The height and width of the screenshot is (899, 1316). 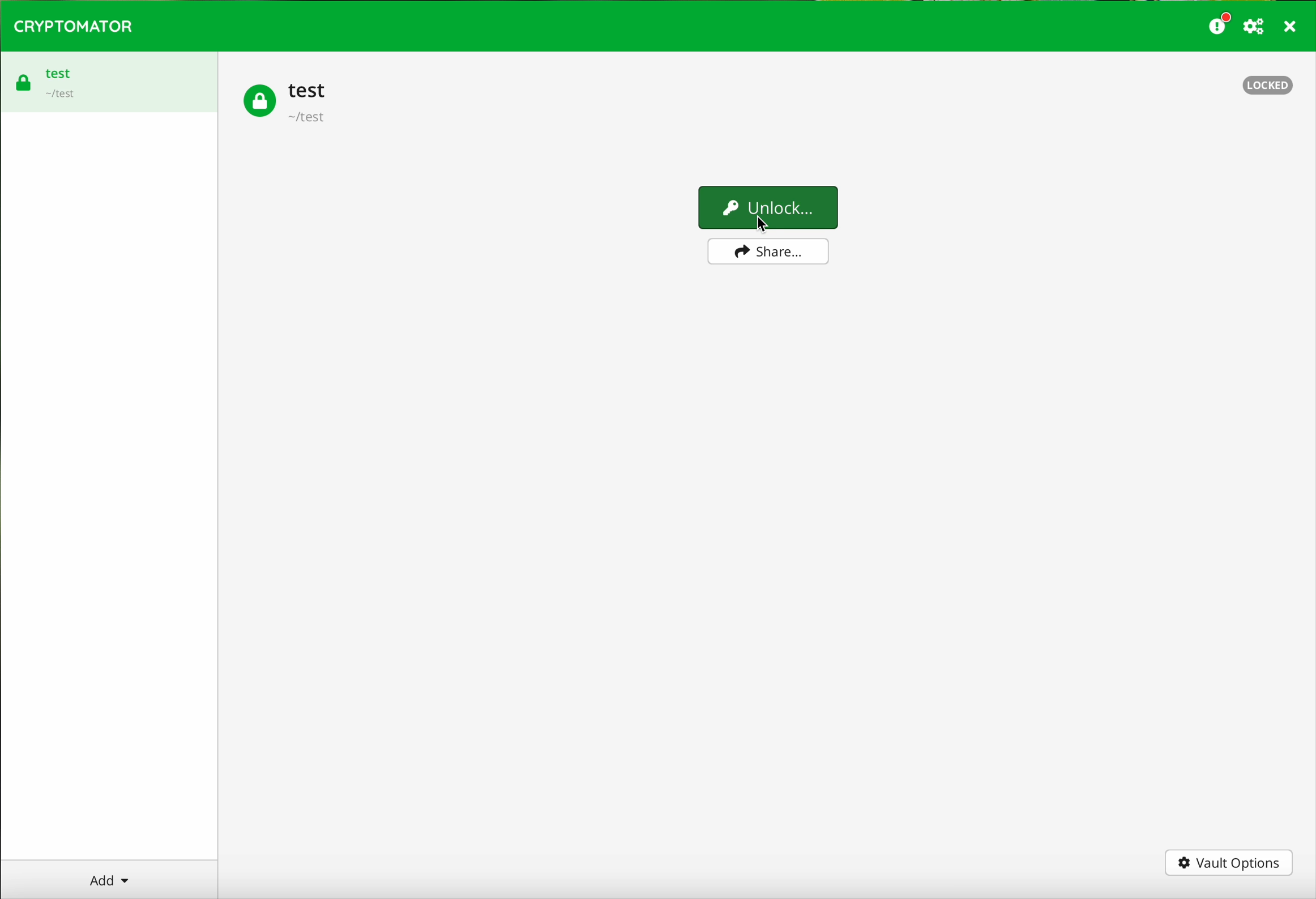 What do you see at coordinates (768, 254) in the screenshot?
I see `share ` at bounding box center [768, 254].